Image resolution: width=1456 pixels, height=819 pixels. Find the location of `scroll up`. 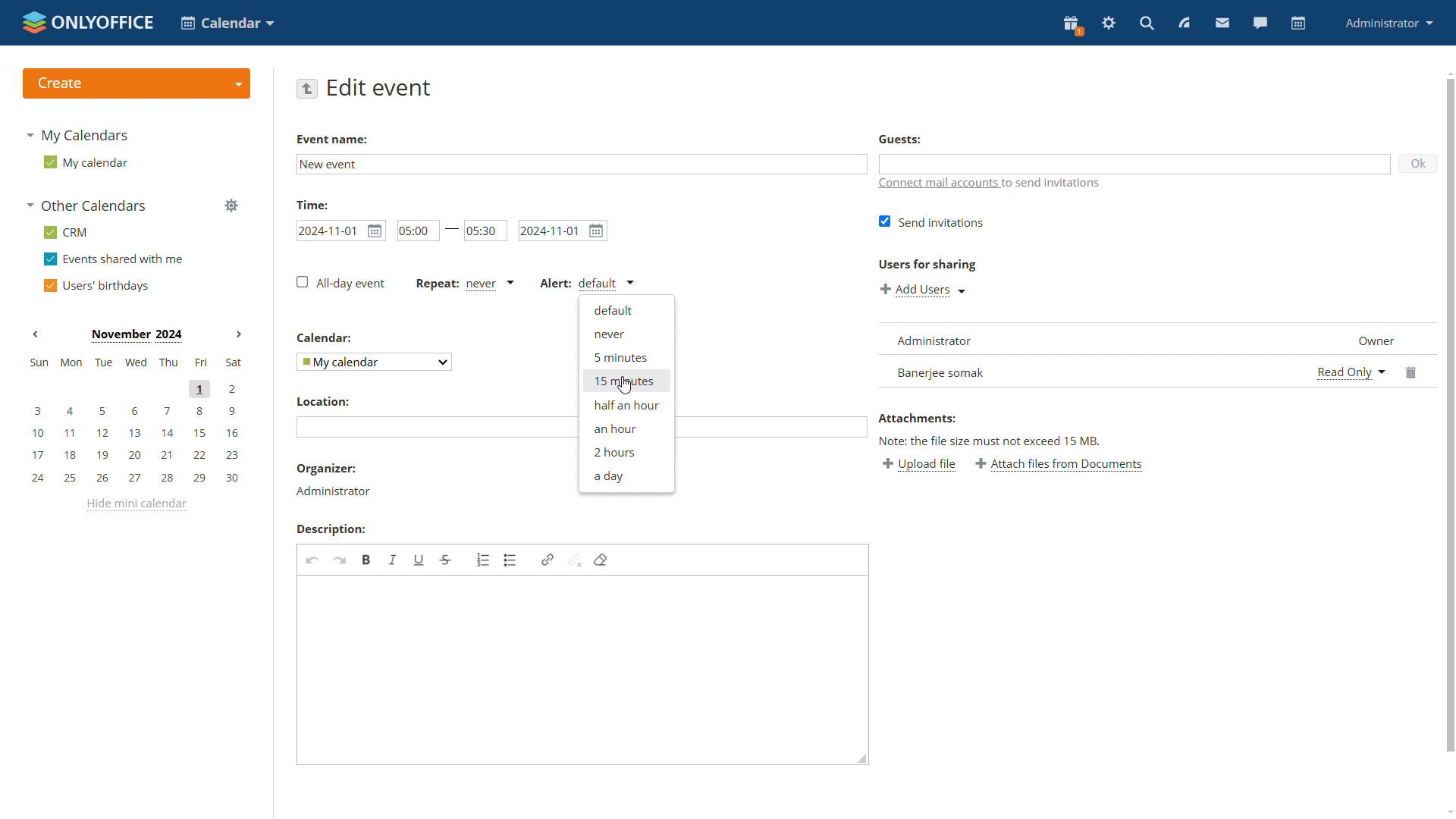

scroll up is located at coordinates (1450, 74).